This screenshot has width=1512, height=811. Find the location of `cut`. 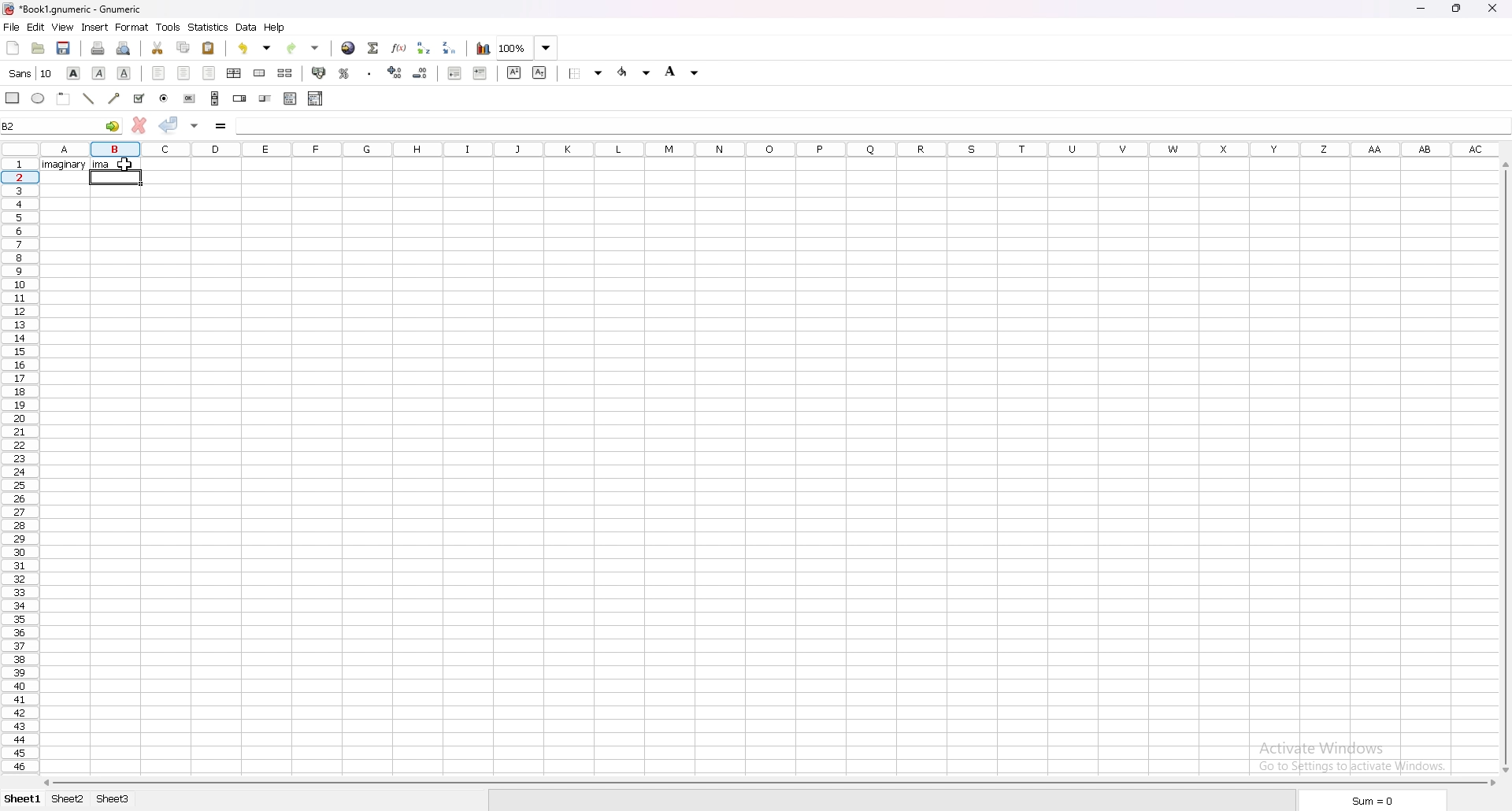

cut is located at coordinates (157, 48).